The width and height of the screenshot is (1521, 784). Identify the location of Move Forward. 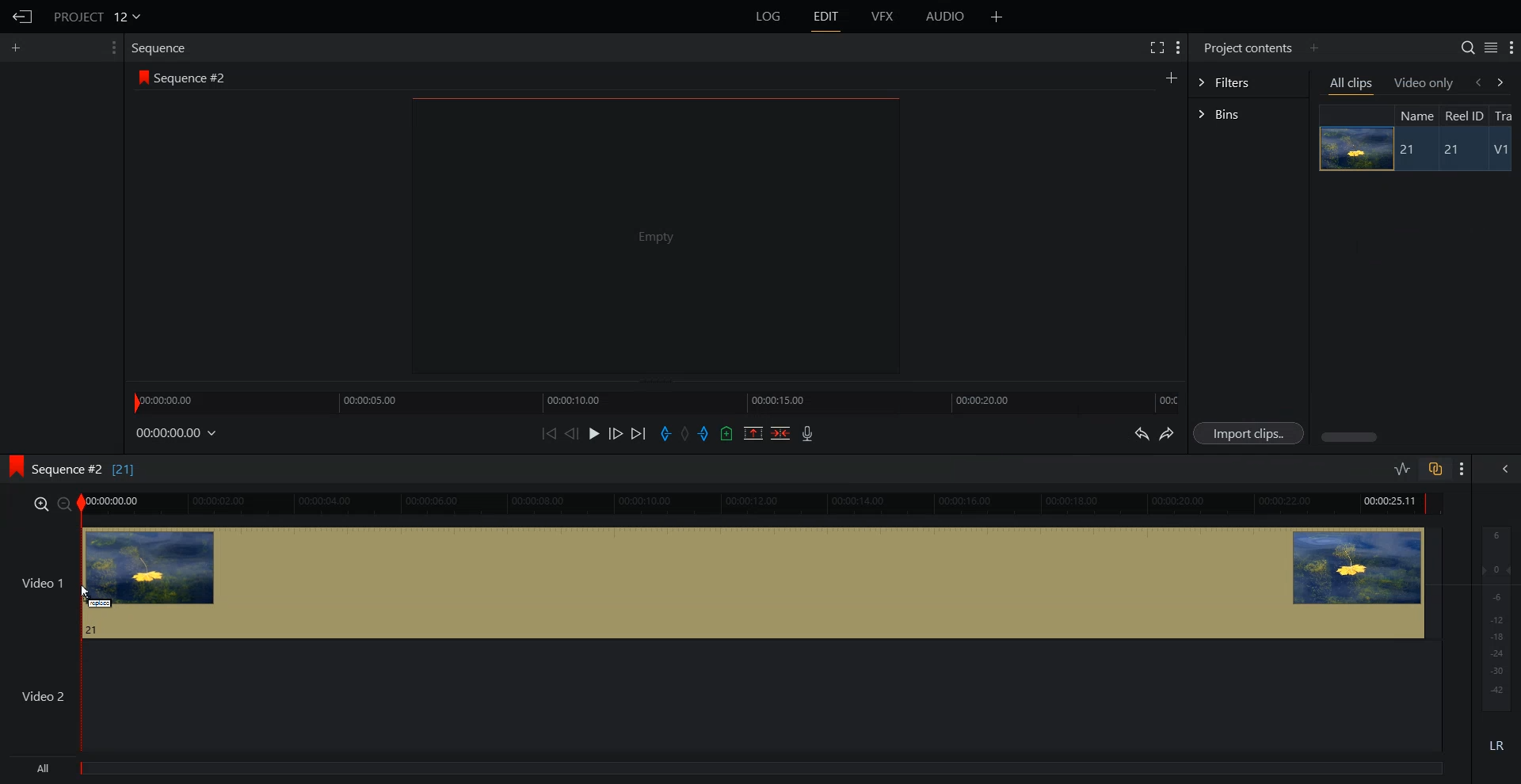
(638, 433).